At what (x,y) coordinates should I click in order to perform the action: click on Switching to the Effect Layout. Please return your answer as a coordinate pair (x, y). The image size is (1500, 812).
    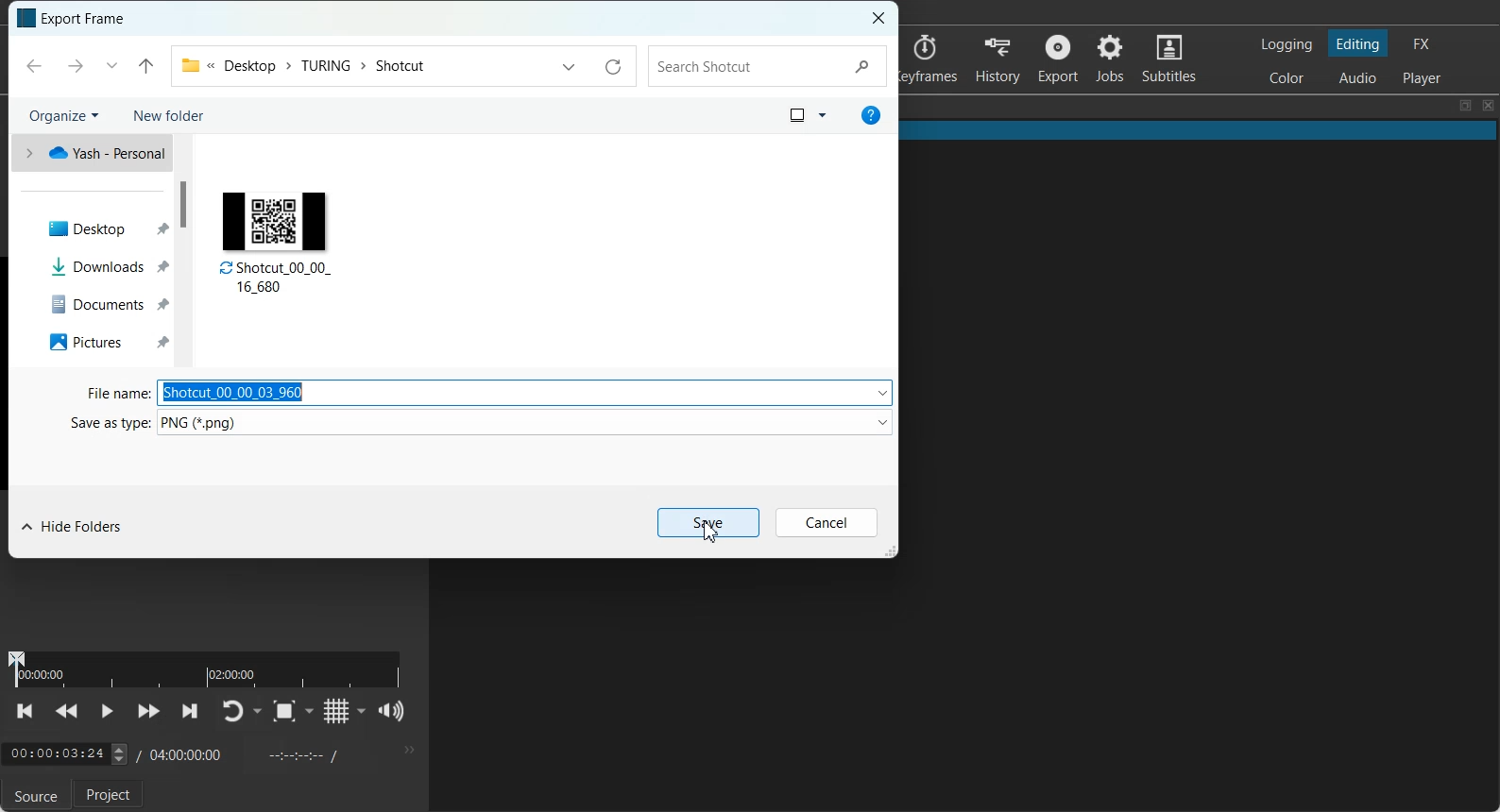
    Looking at the image, I should click on (1421, 42).